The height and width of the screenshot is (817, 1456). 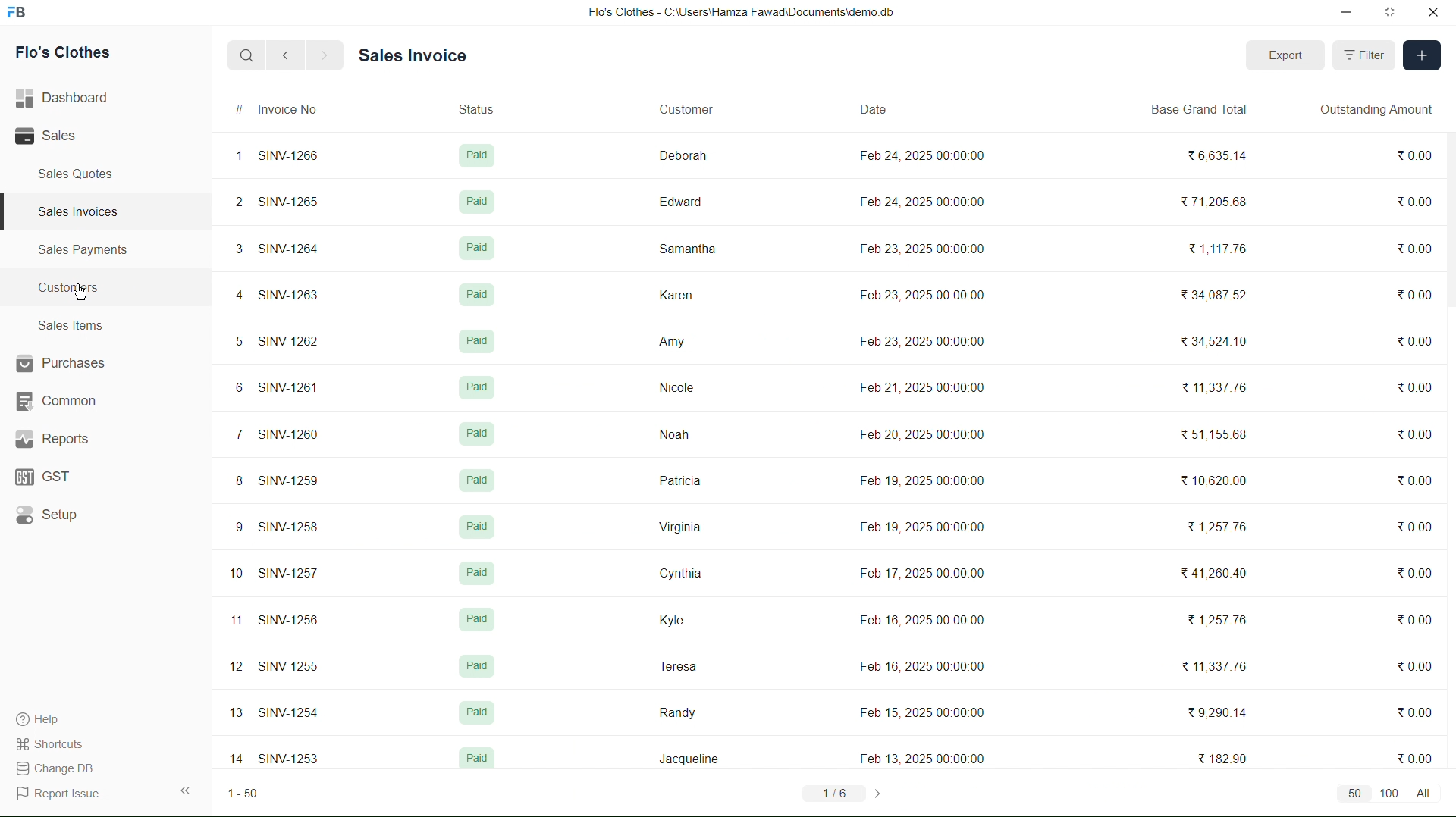 I want to click on Paid, so click(x=475, y=618).